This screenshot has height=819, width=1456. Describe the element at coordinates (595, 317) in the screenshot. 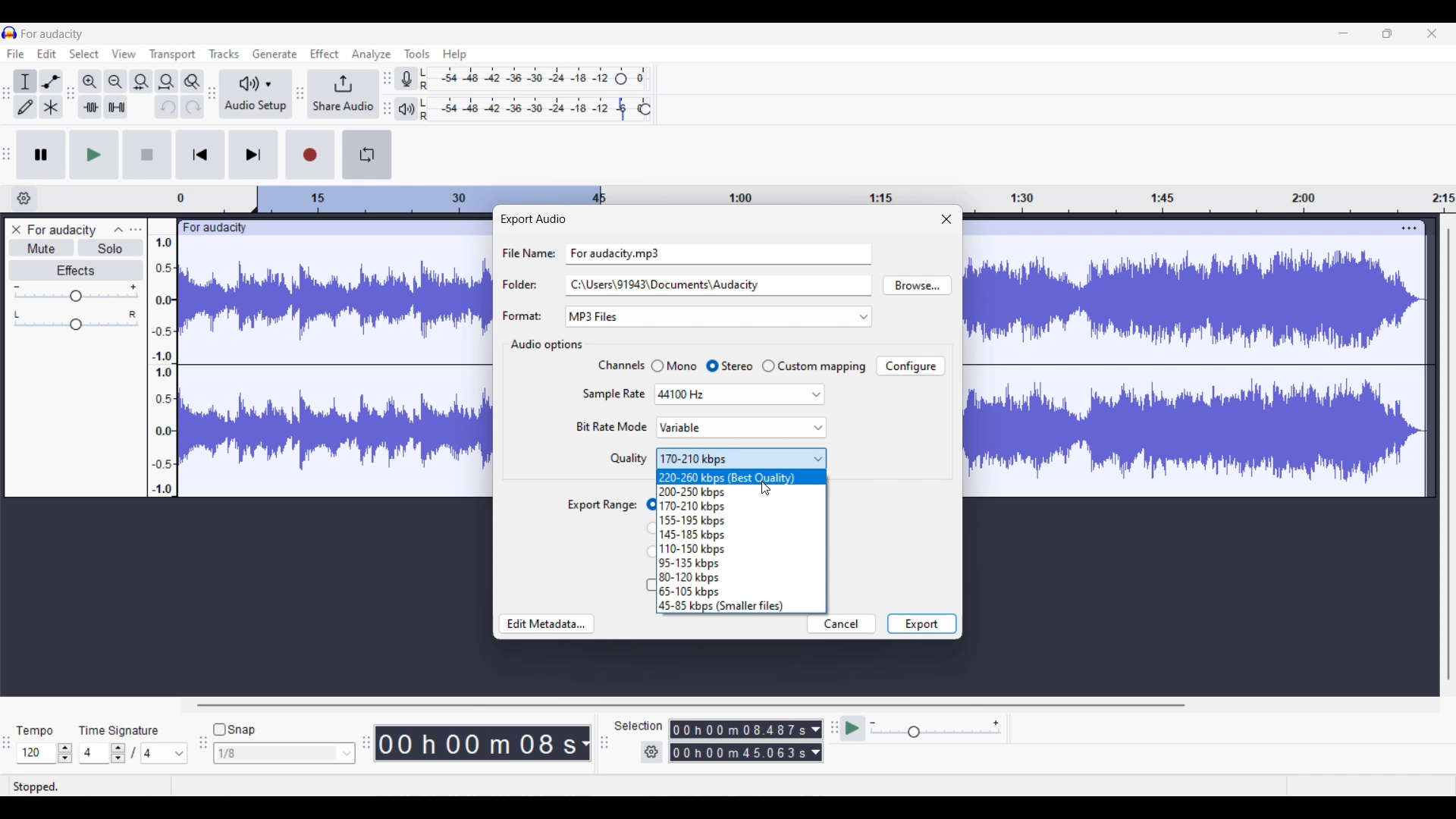

I see `Format changed to selection` at that location.